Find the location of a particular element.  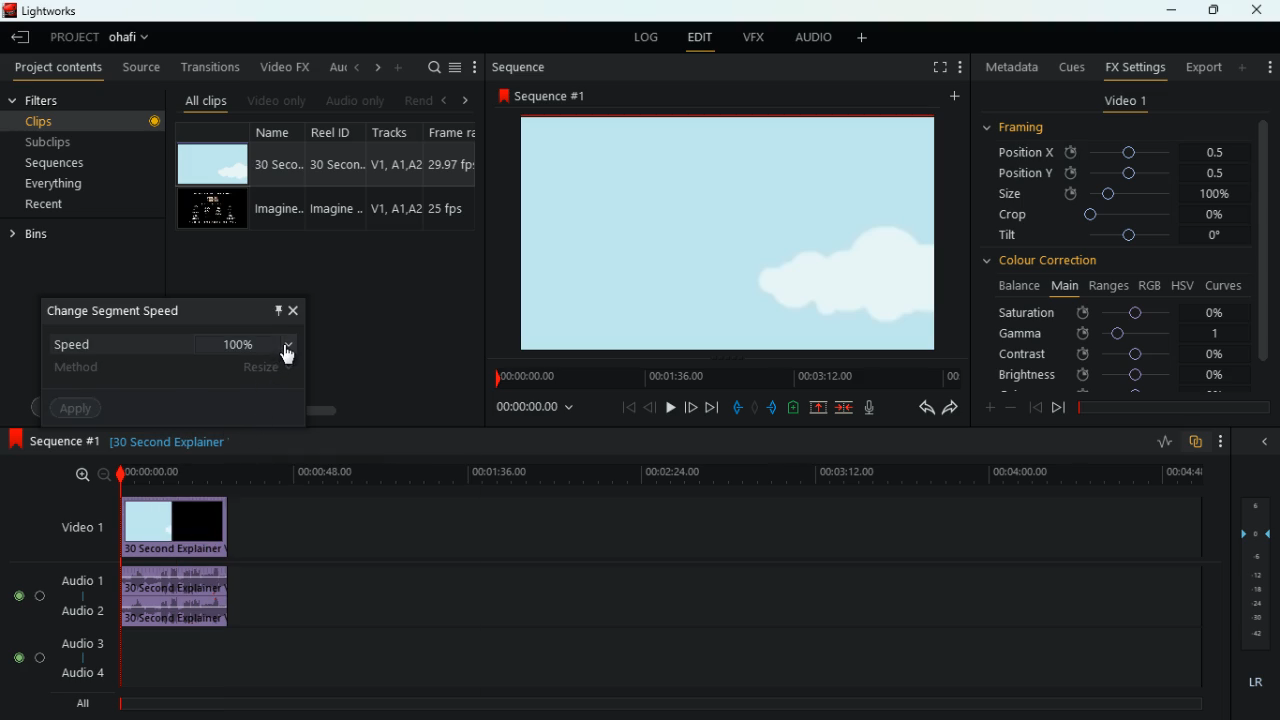

more is located at coordinates (398, 67).